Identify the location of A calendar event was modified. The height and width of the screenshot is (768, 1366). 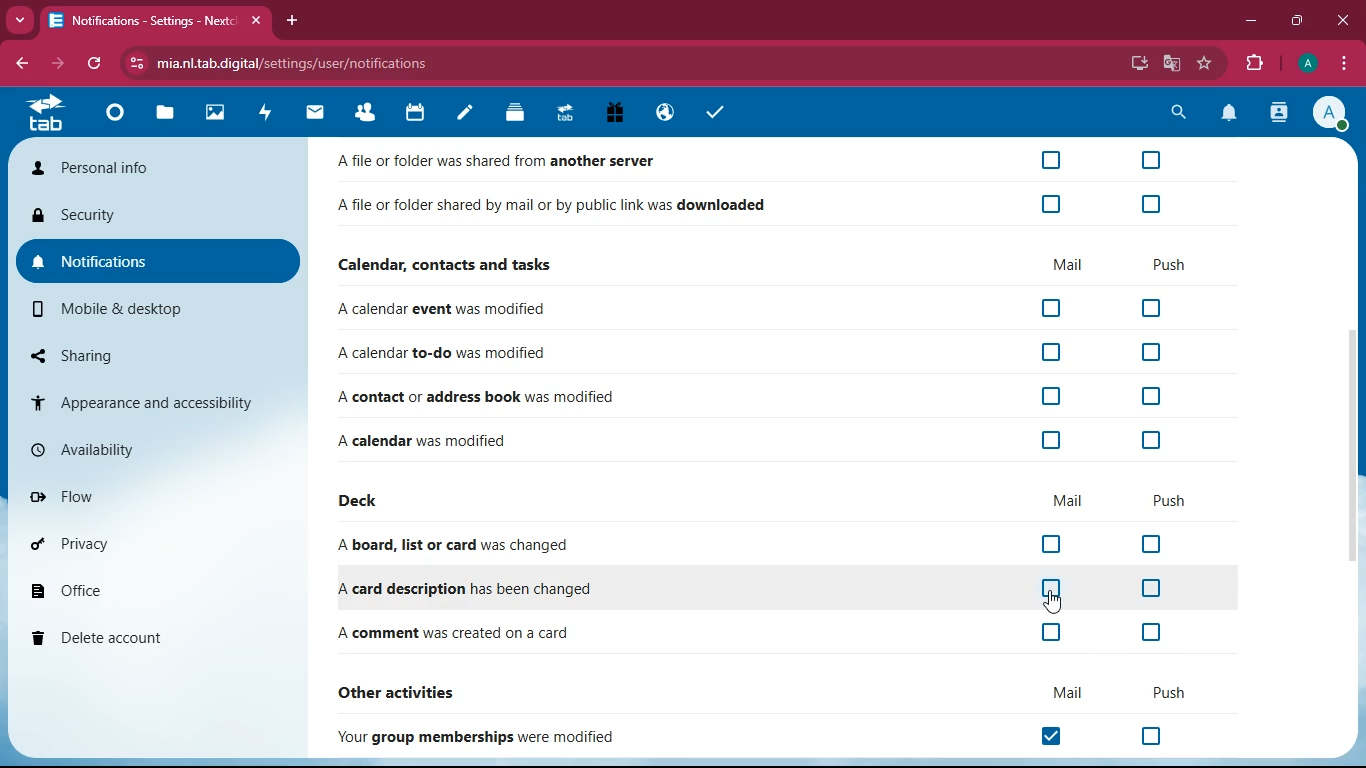
(447, 310).